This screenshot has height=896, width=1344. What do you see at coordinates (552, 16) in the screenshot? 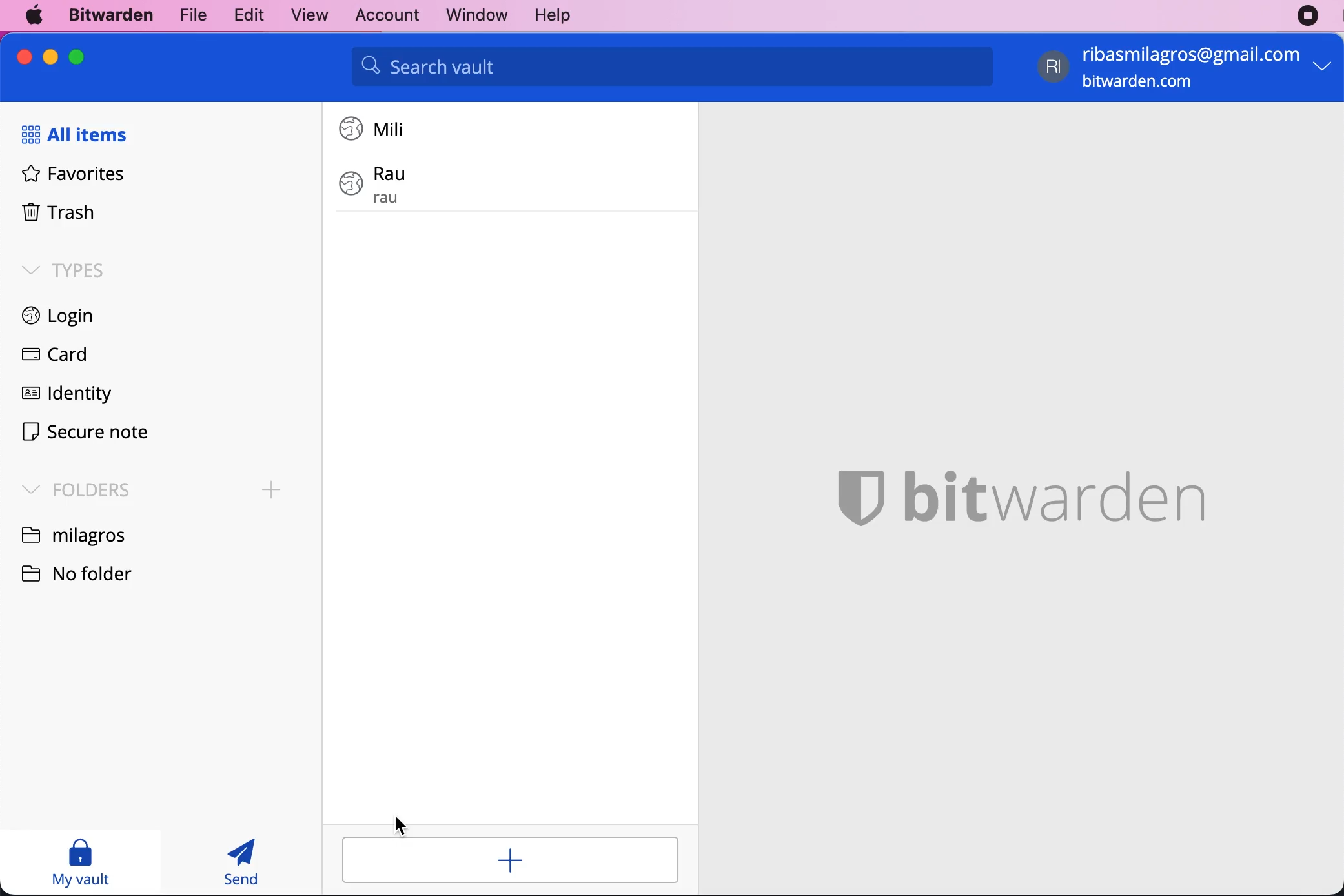
I see `help` at bounding box center [552, 16].